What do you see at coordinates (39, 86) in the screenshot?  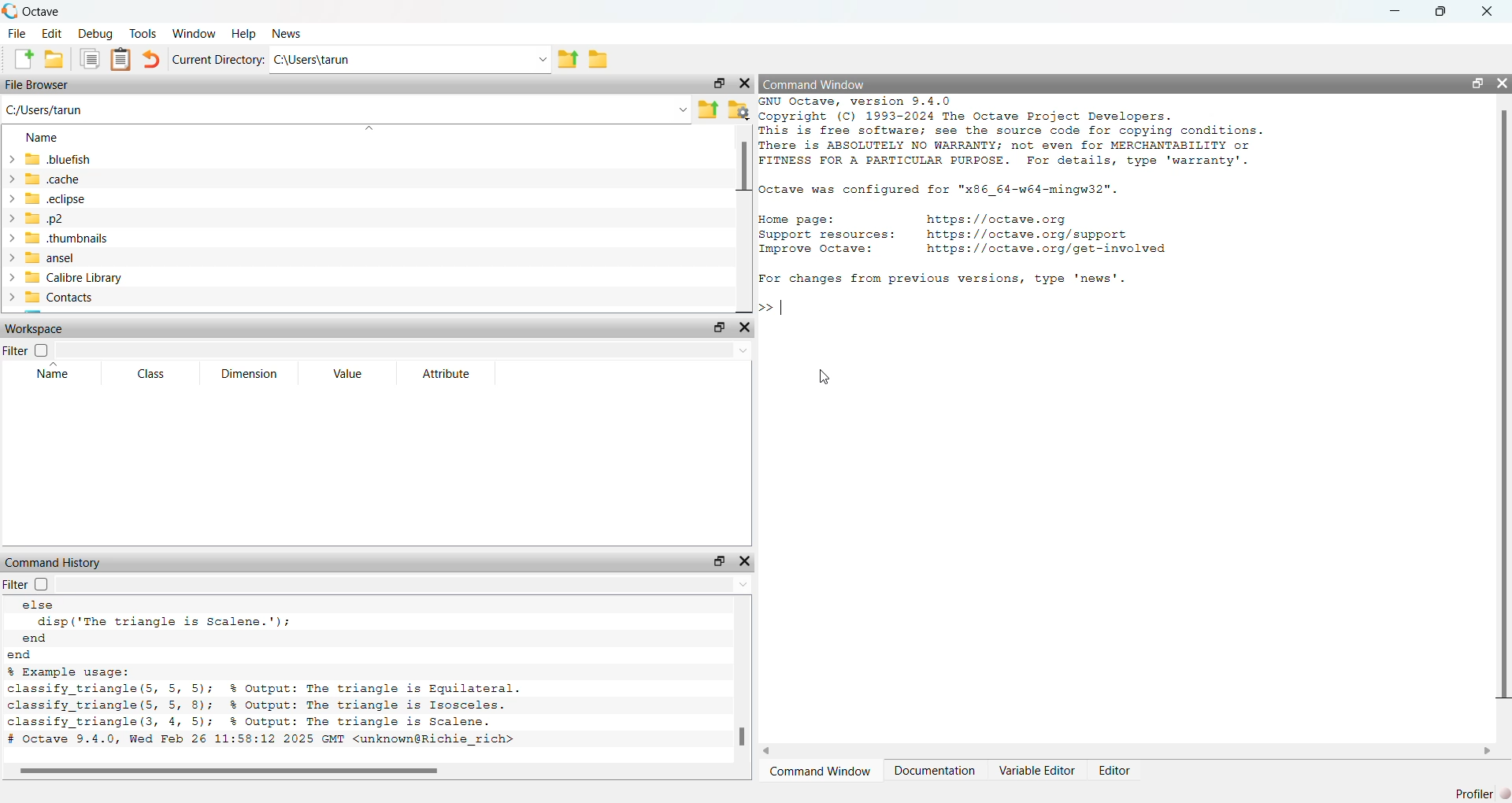 I see `file browser` at bounding box center [39, 86].